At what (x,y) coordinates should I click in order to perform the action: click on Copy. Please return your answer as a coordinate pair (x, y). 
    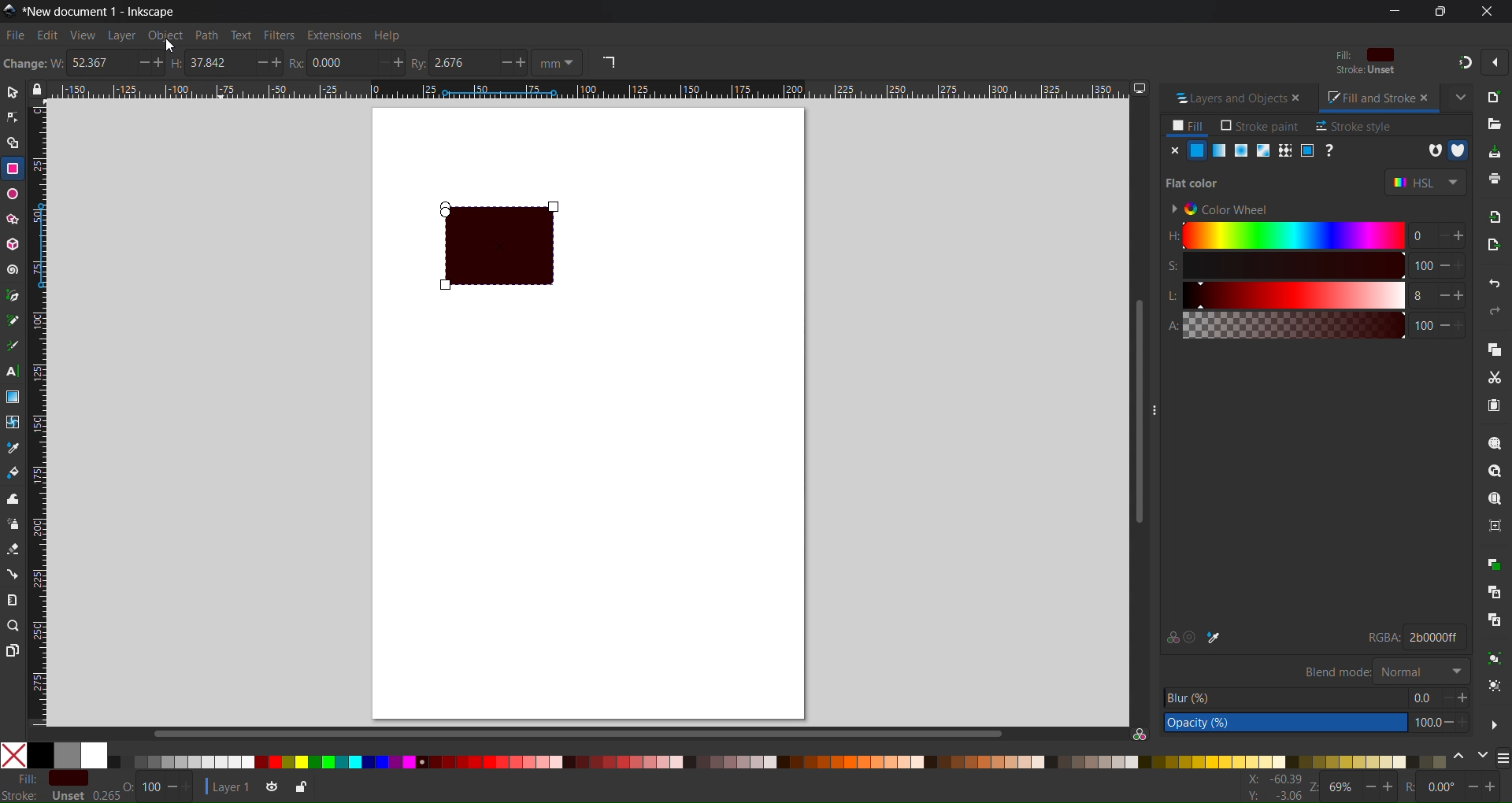
    Looking at the image, I should click on (1493, 347).